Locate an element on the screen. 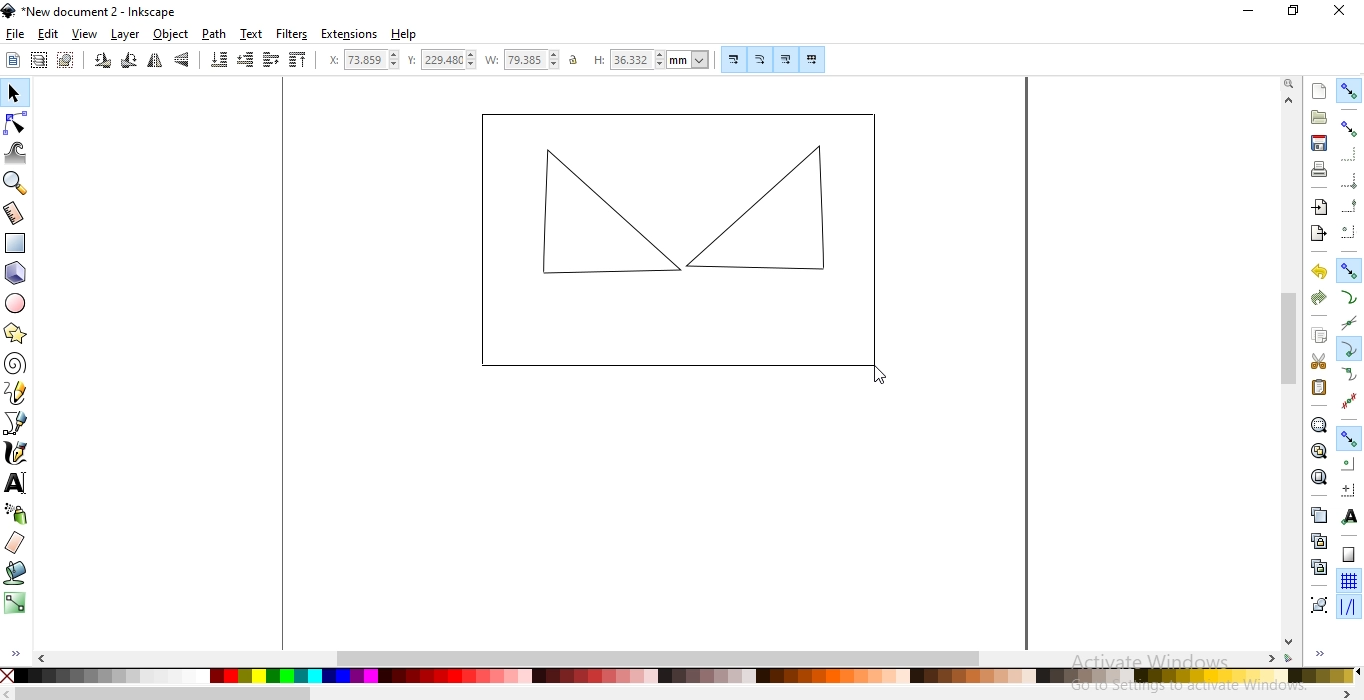  layer is located at coordinates (126, 34).